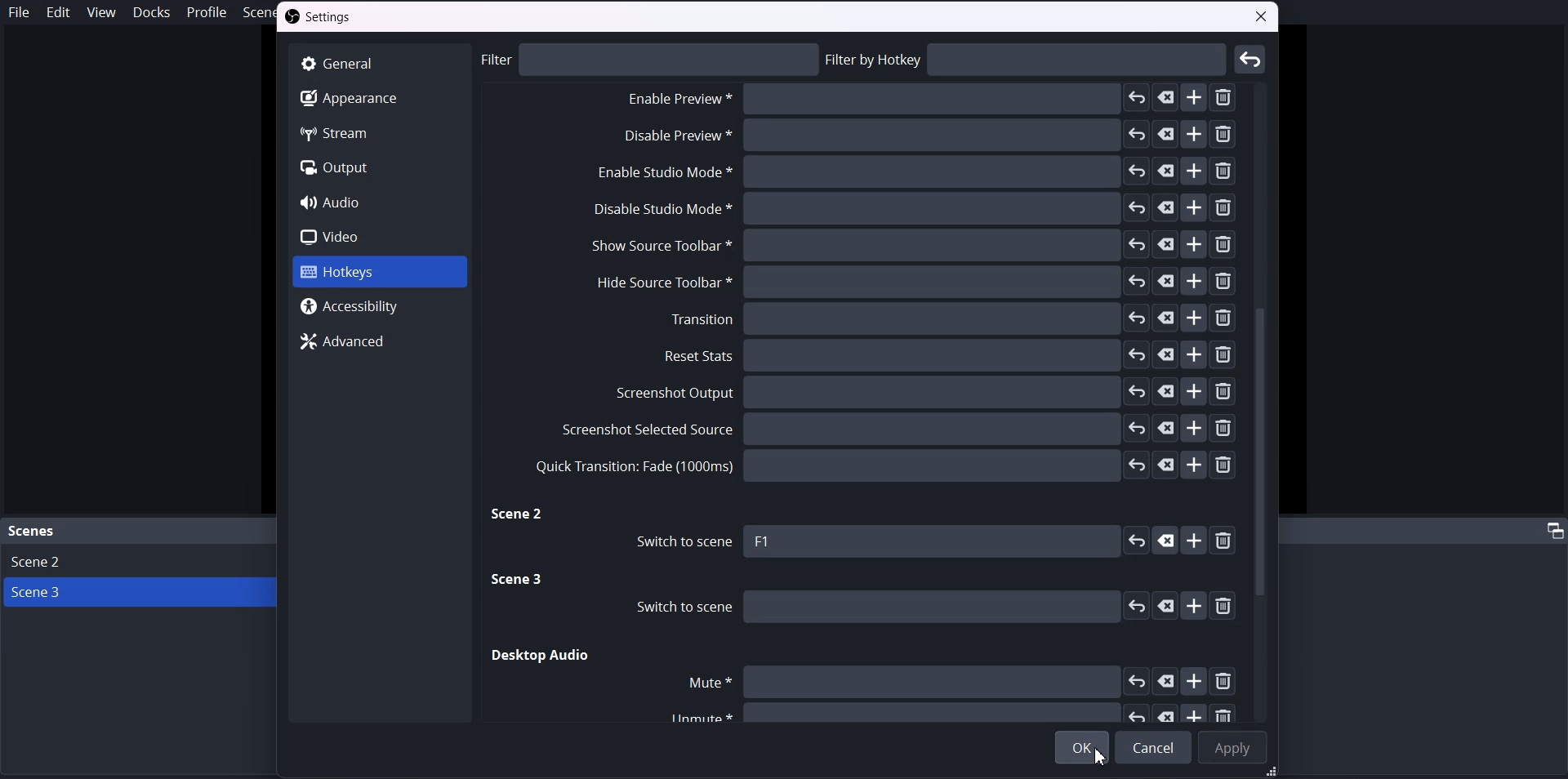 This screenshot has height=779, width=1568. What do you see at coordinates (1552, 530) in the screenshot?
I see `adjust tab` at bounding box center [1552, 530].